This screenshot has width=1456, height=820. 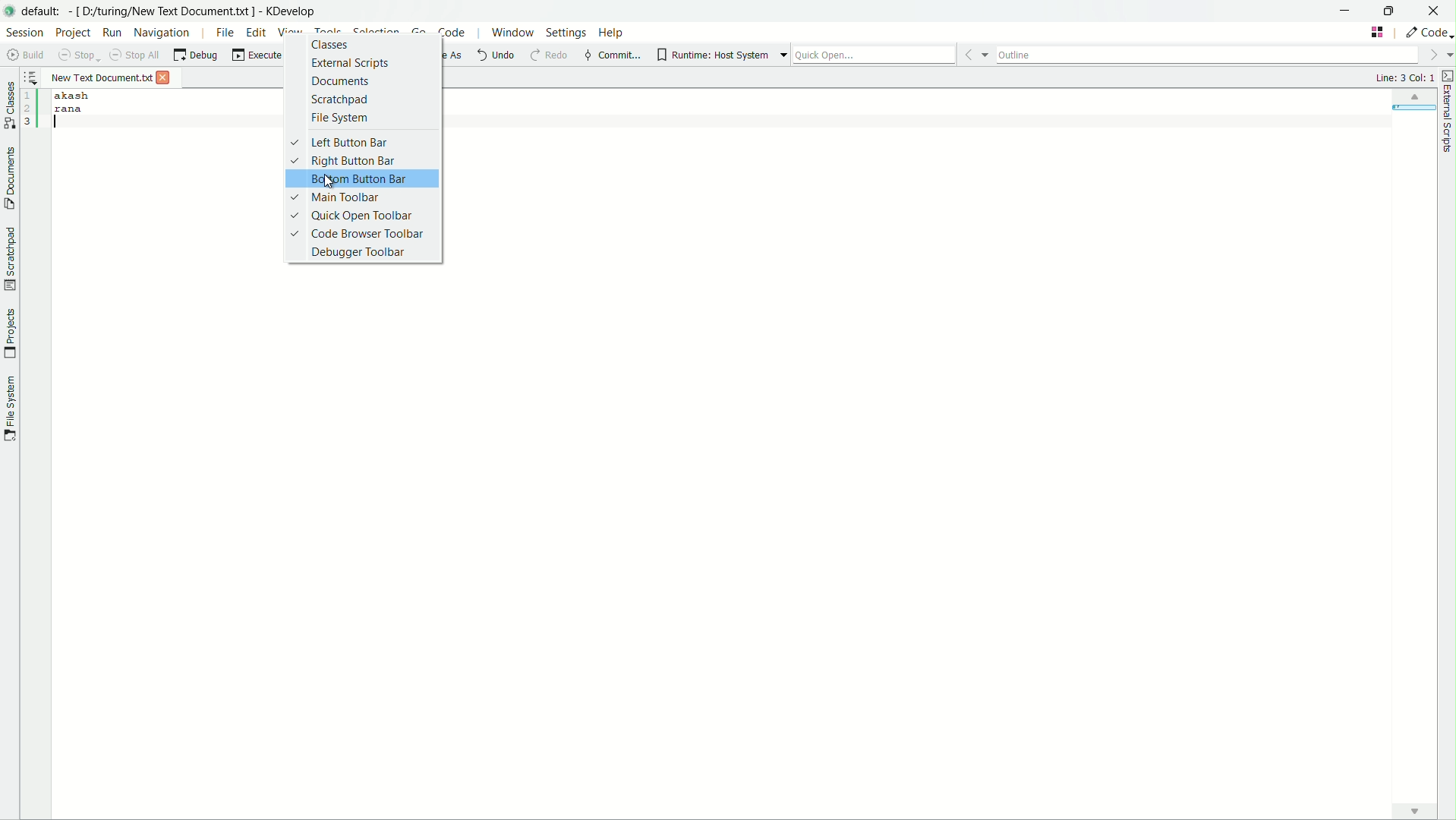 I want to click on tab layout, so click(x=1379, y=31).